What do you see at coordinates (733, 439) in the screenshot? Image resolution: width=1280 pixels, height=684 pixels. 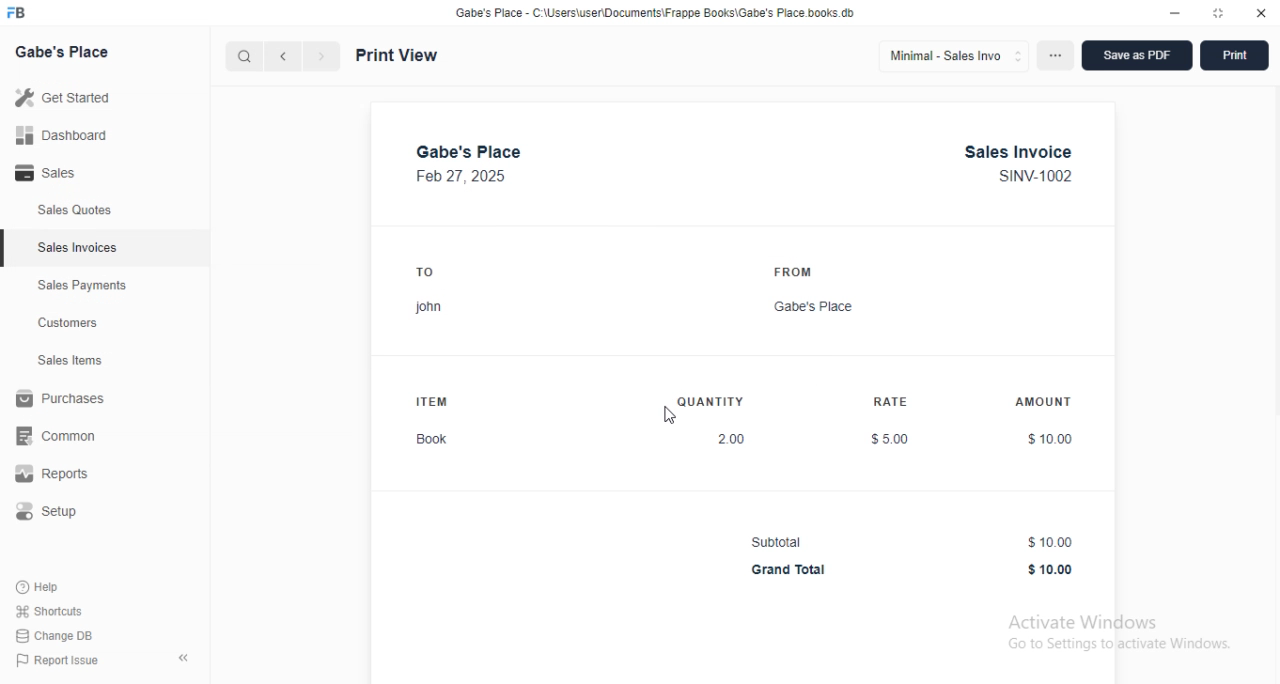 I see `2.00` at bounding box center [733, 439].